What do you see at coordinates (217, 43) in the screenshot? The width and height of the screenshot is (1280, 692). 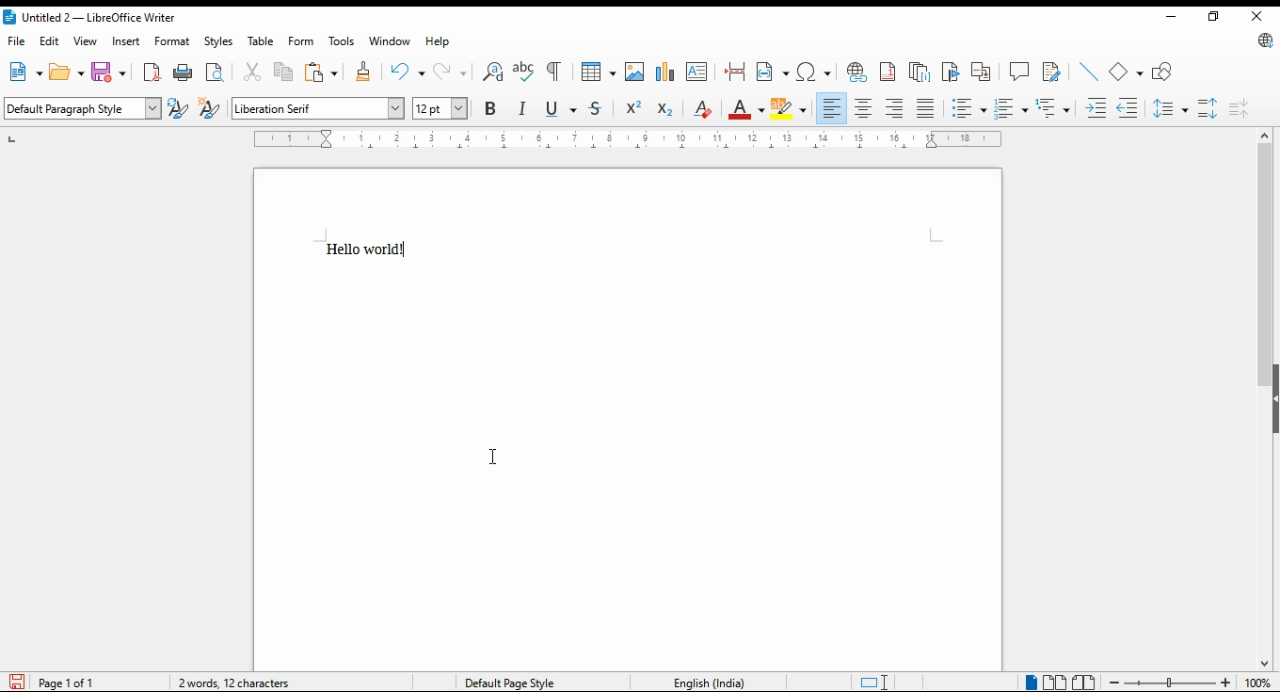 I see `styles` at bounding box center [217, 43].